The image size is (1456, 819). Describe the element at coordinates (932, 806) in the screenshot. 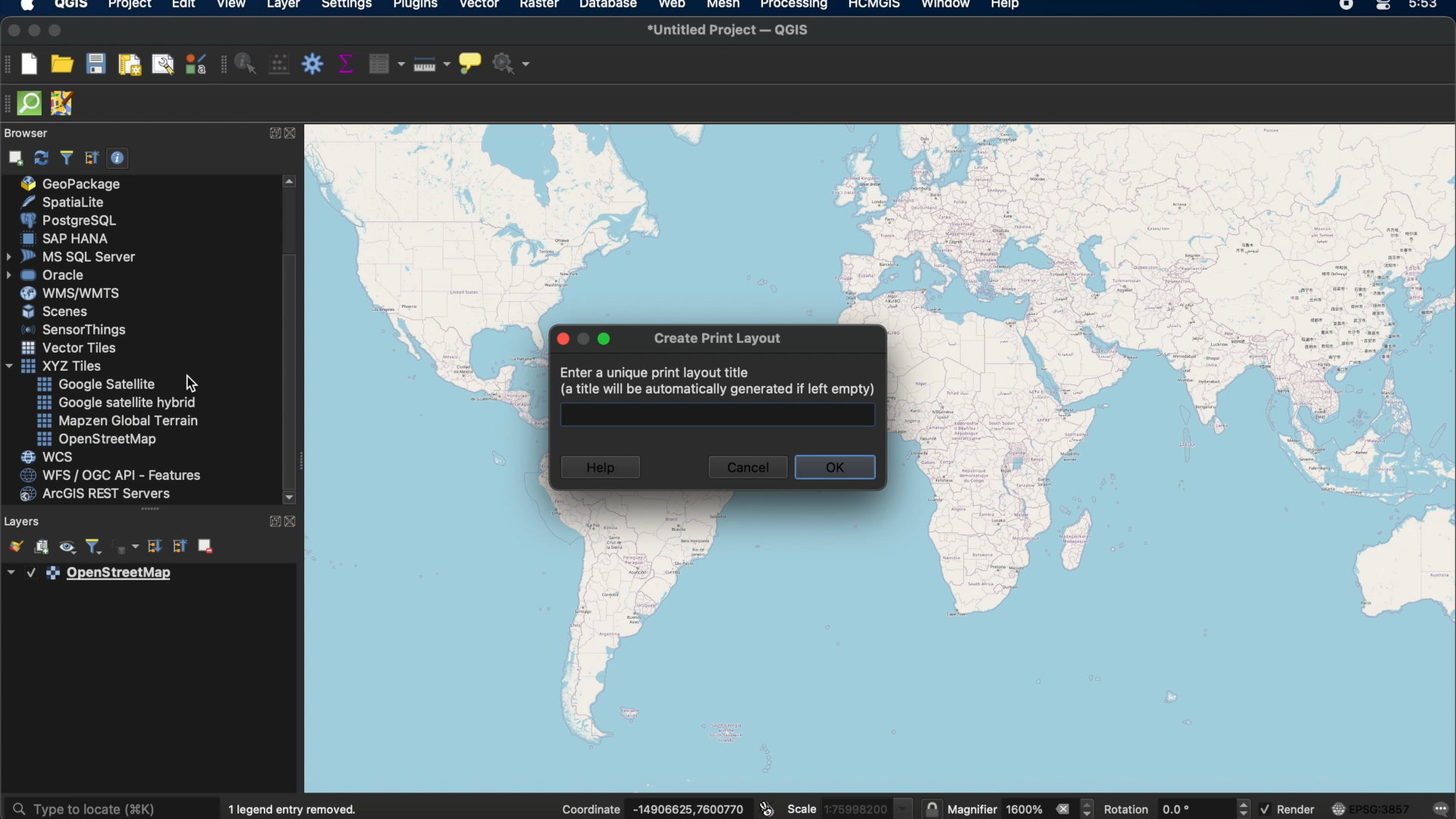

I see `lock scale` at that location.